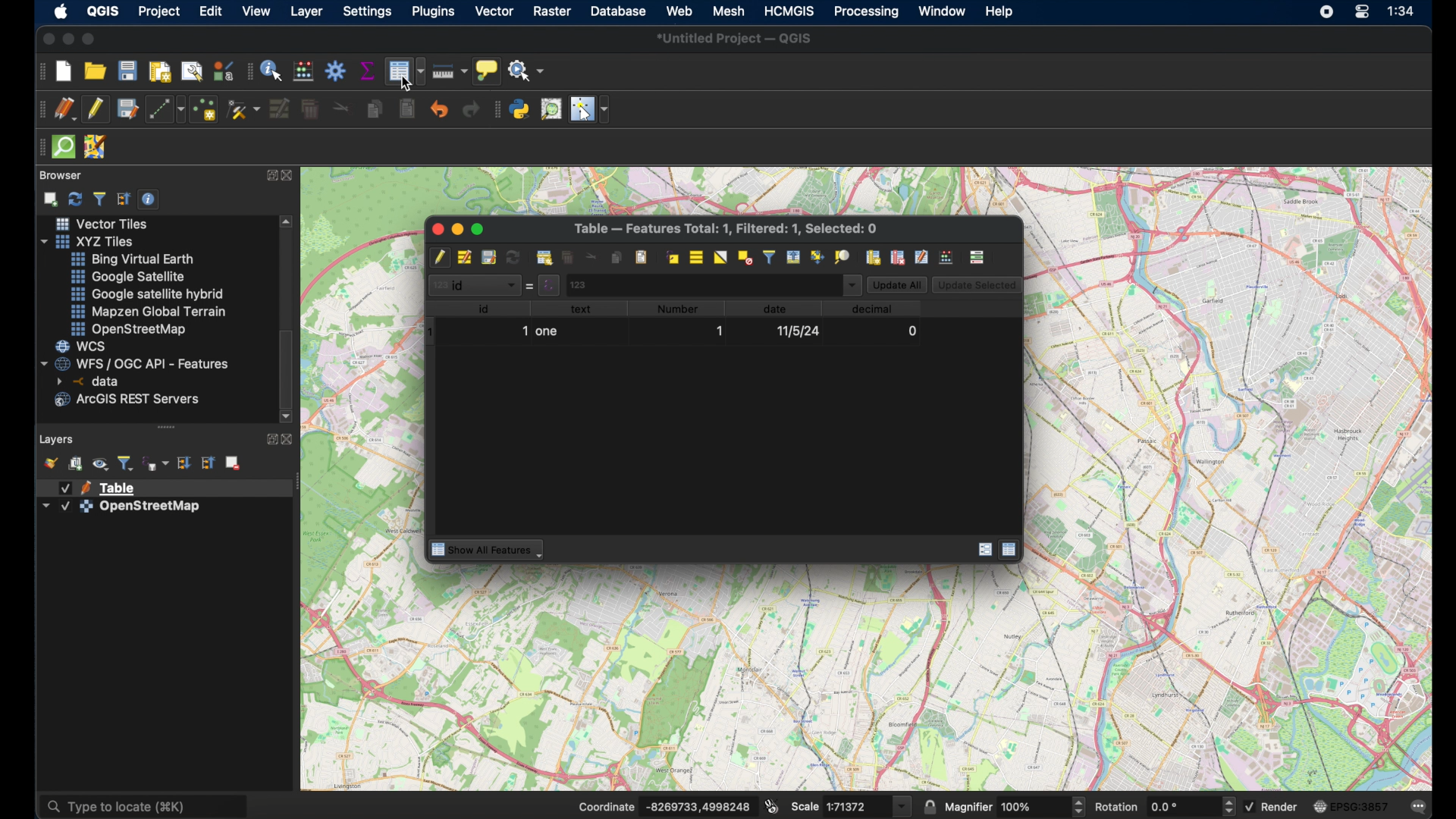  What do you see at coordinates (639, 256) in the screenshot?
I see `paste features from clipboard` at bounding box center [639, 256].